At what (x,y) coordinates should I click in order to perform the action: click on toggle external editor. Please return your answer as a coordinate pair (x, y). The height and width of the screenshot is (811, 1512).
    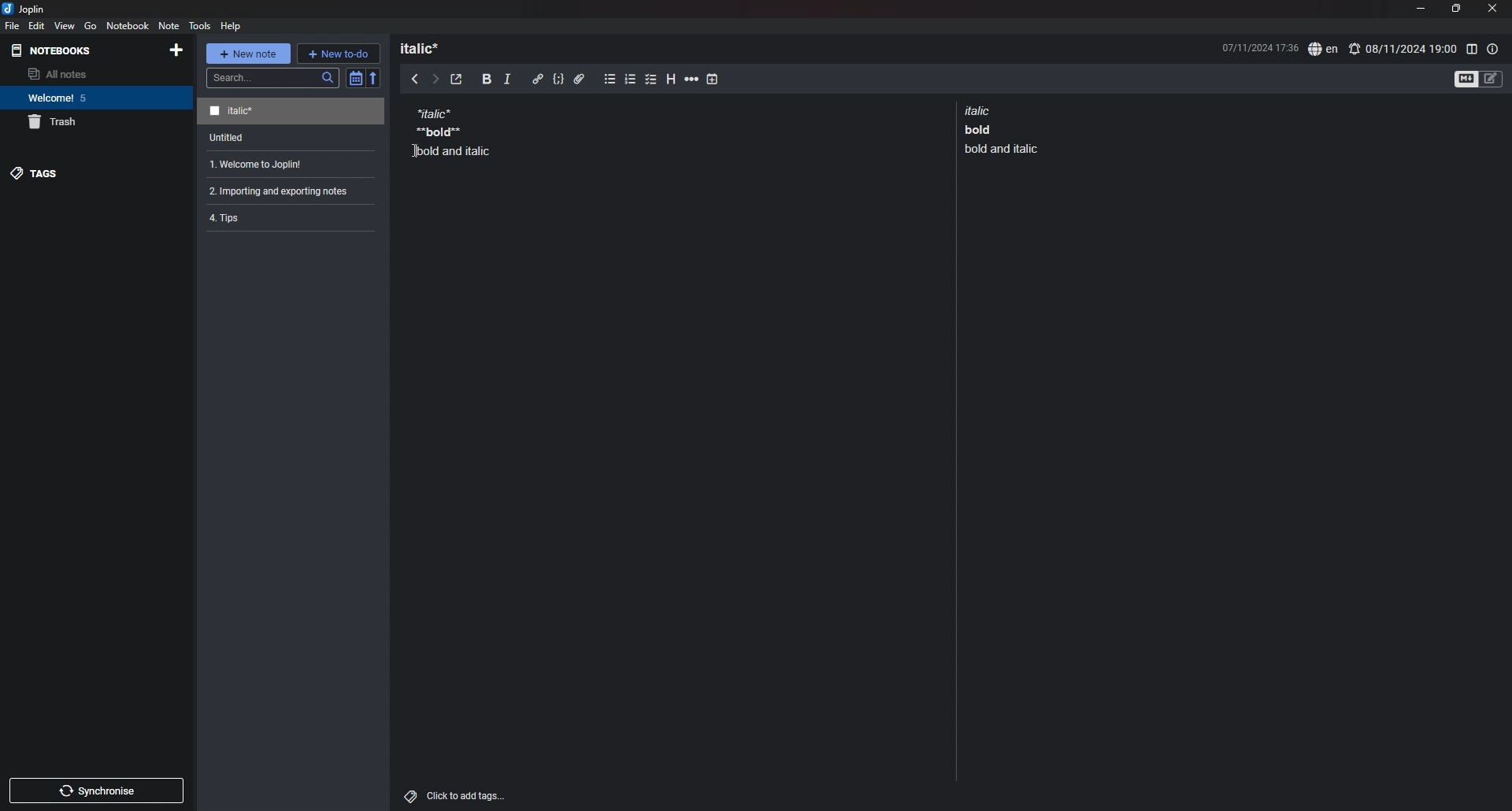
    Looking at the image, I should click on (457, 80).